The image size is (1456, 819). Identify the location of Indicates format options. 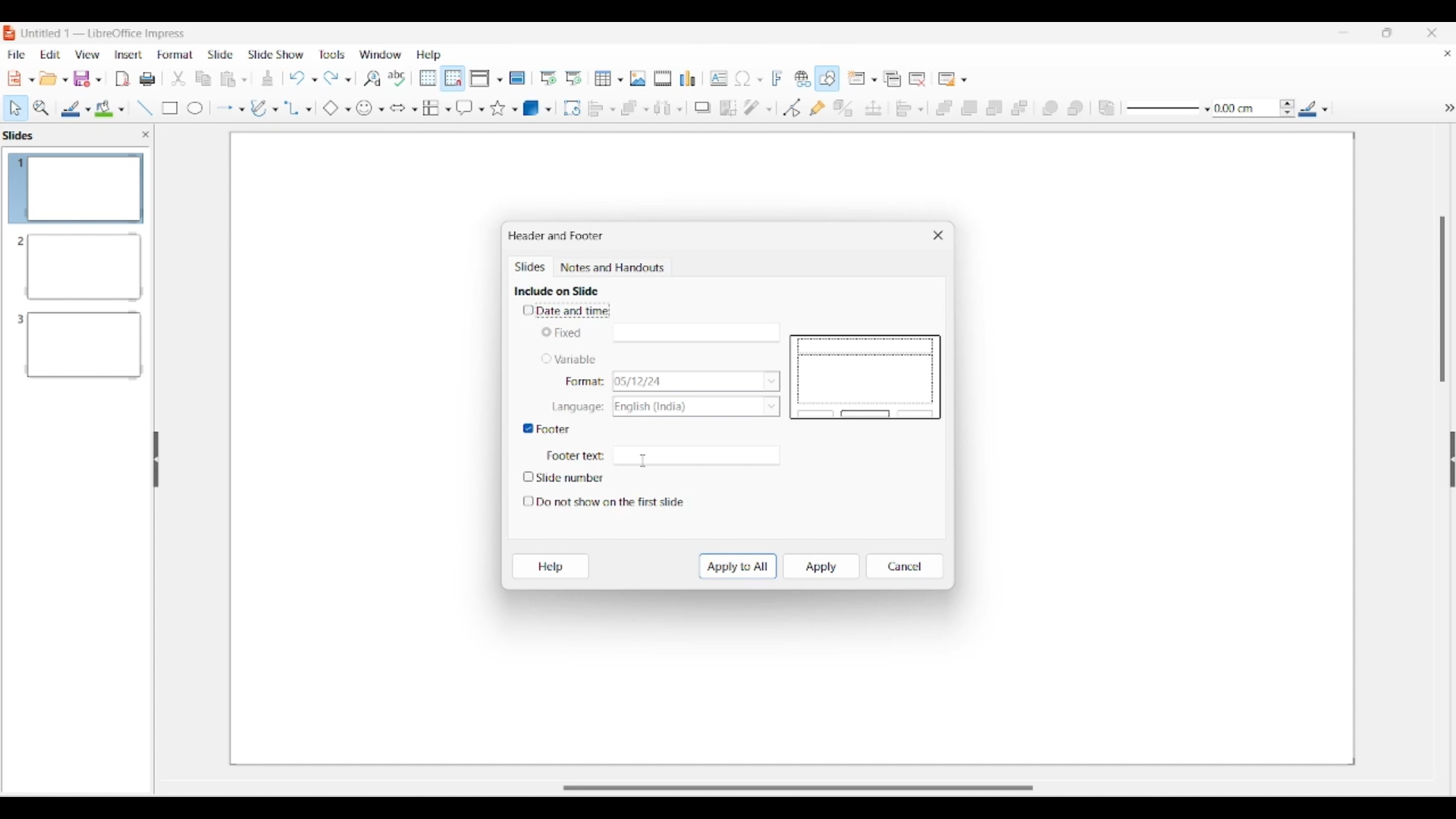
(585, 381).